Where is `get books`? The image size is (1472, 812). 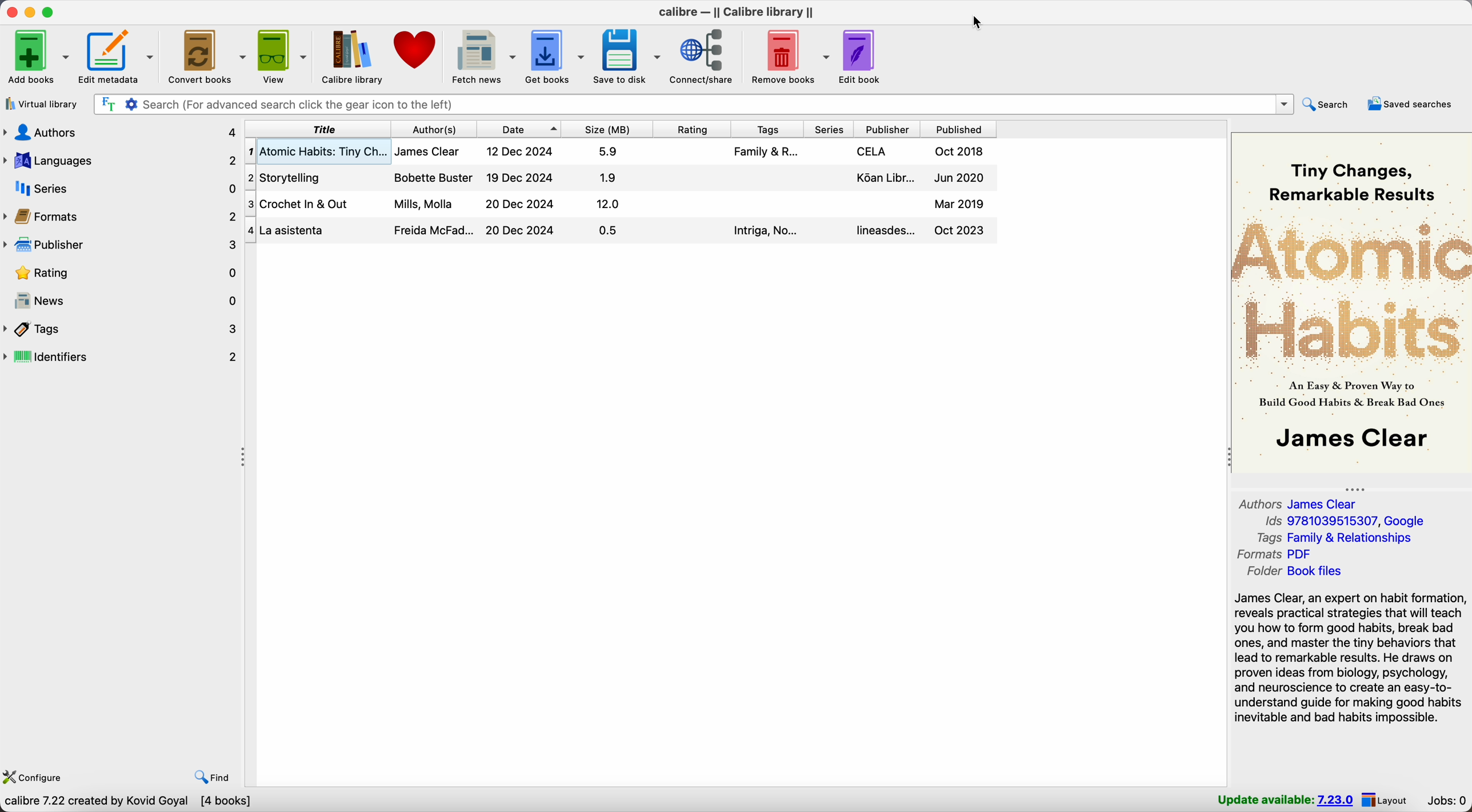
get books is located at coordinates (555, 55).